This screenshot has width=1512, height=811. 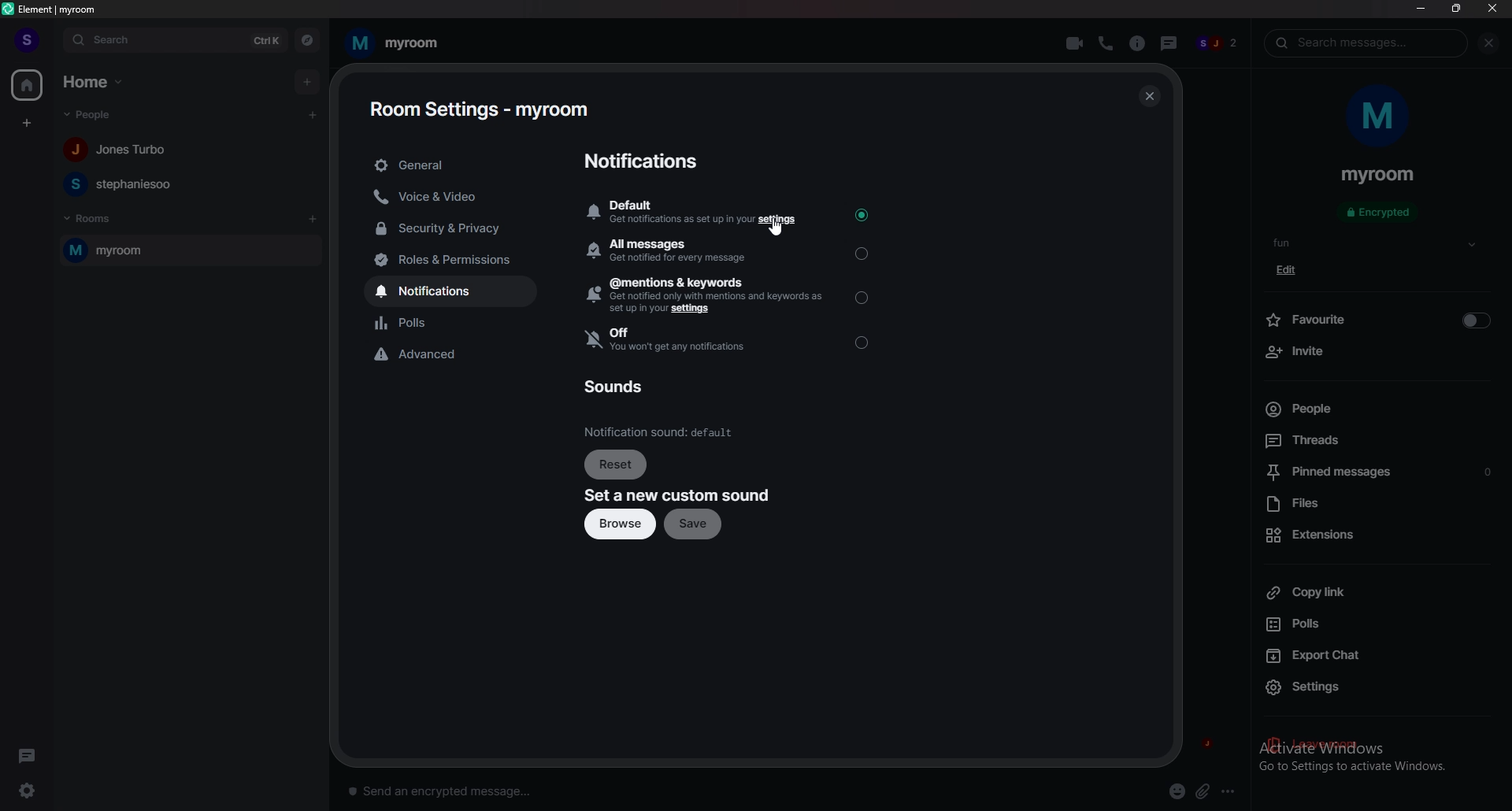 I want to click on extensions, so click(x=1375, y=535).